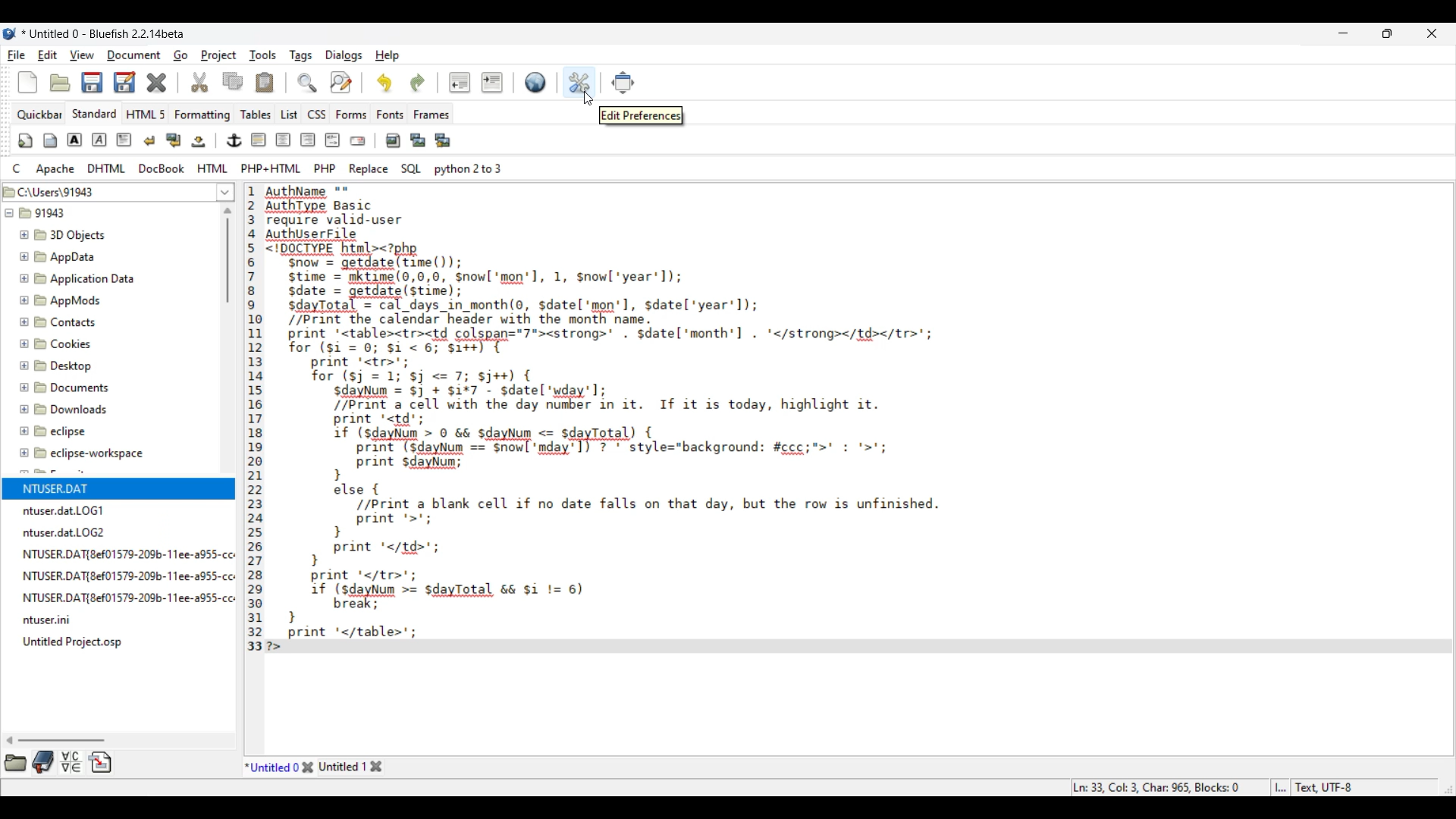 The height and width of the screenshot is (819, 1456). Describe the element at coordinates (476, 83) in the screenshot. I see `Indentation` at that location.